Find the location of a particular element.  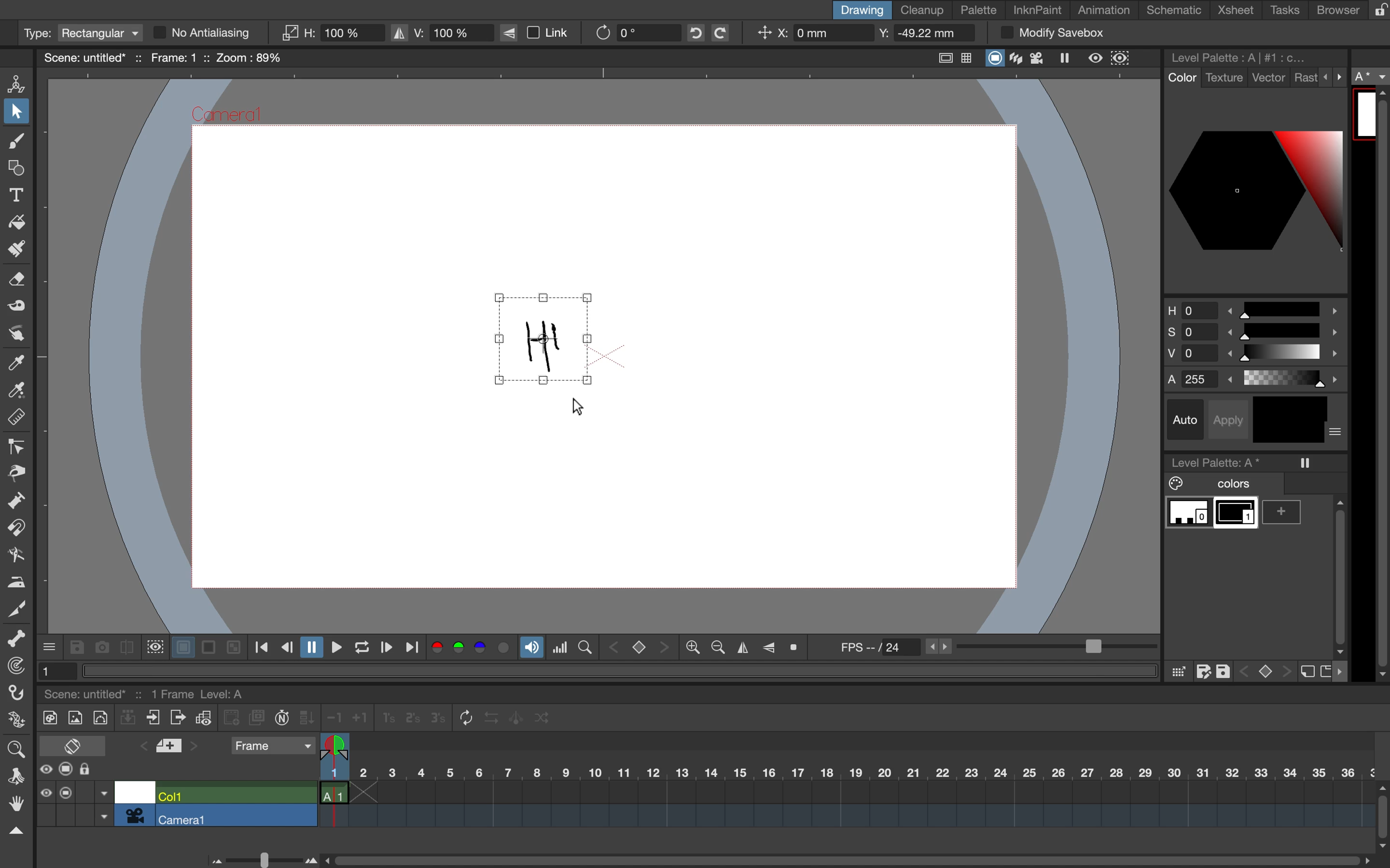

define sub camera is located at coordinates (153, 646).